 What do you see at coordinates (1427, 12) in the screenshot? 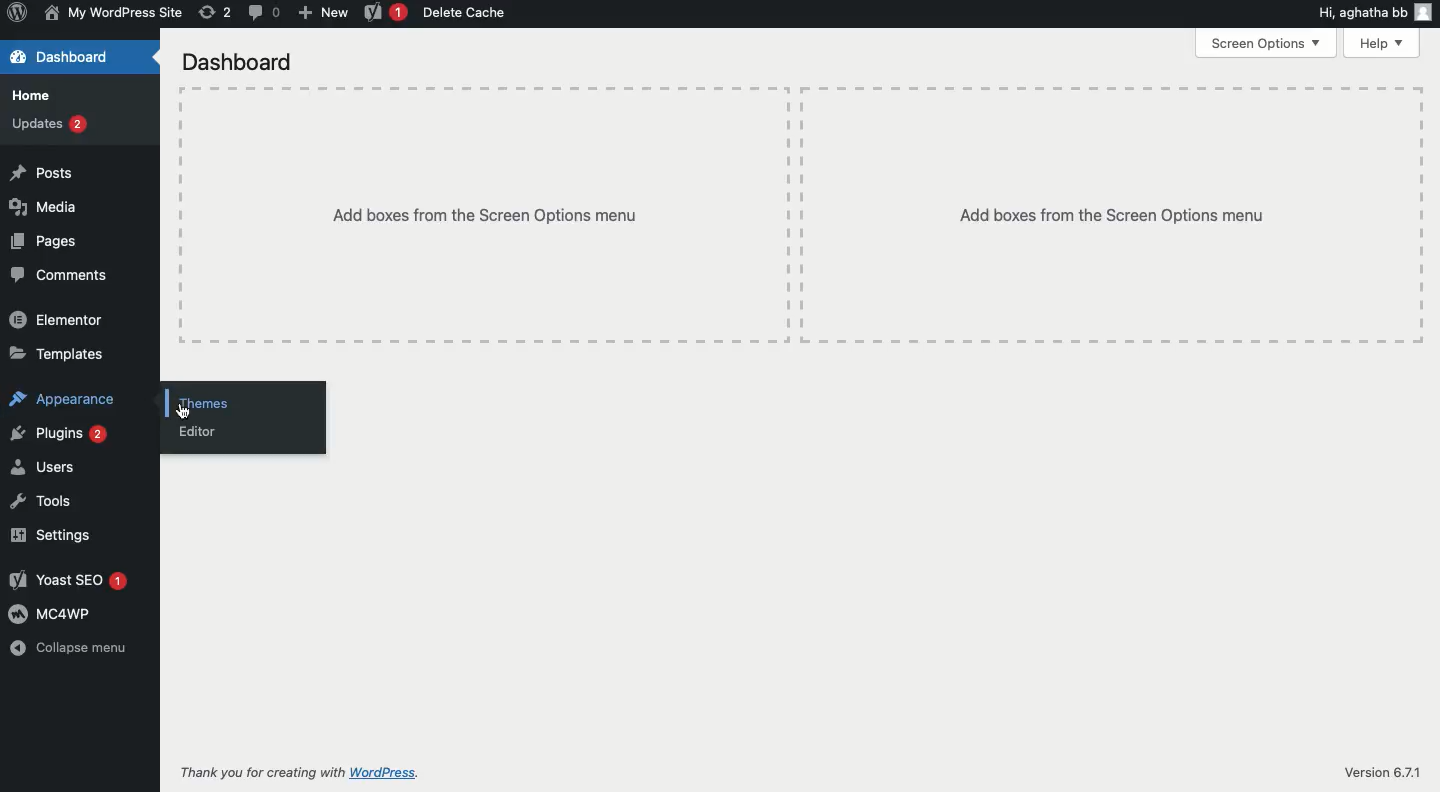
I see `user icon` at bounding box center [1427, 12].